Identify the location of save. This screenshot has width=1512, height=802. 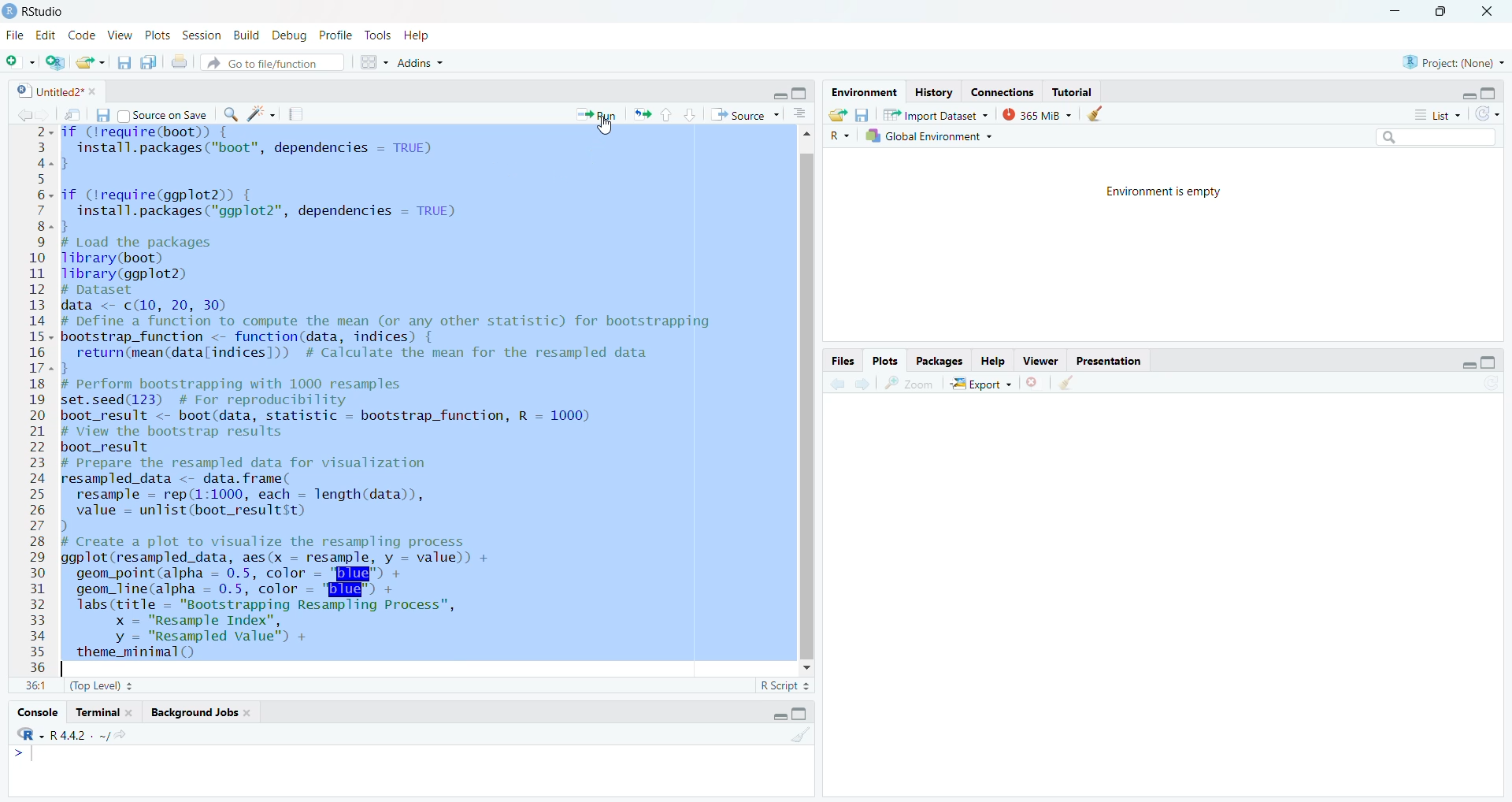
(864, 114).